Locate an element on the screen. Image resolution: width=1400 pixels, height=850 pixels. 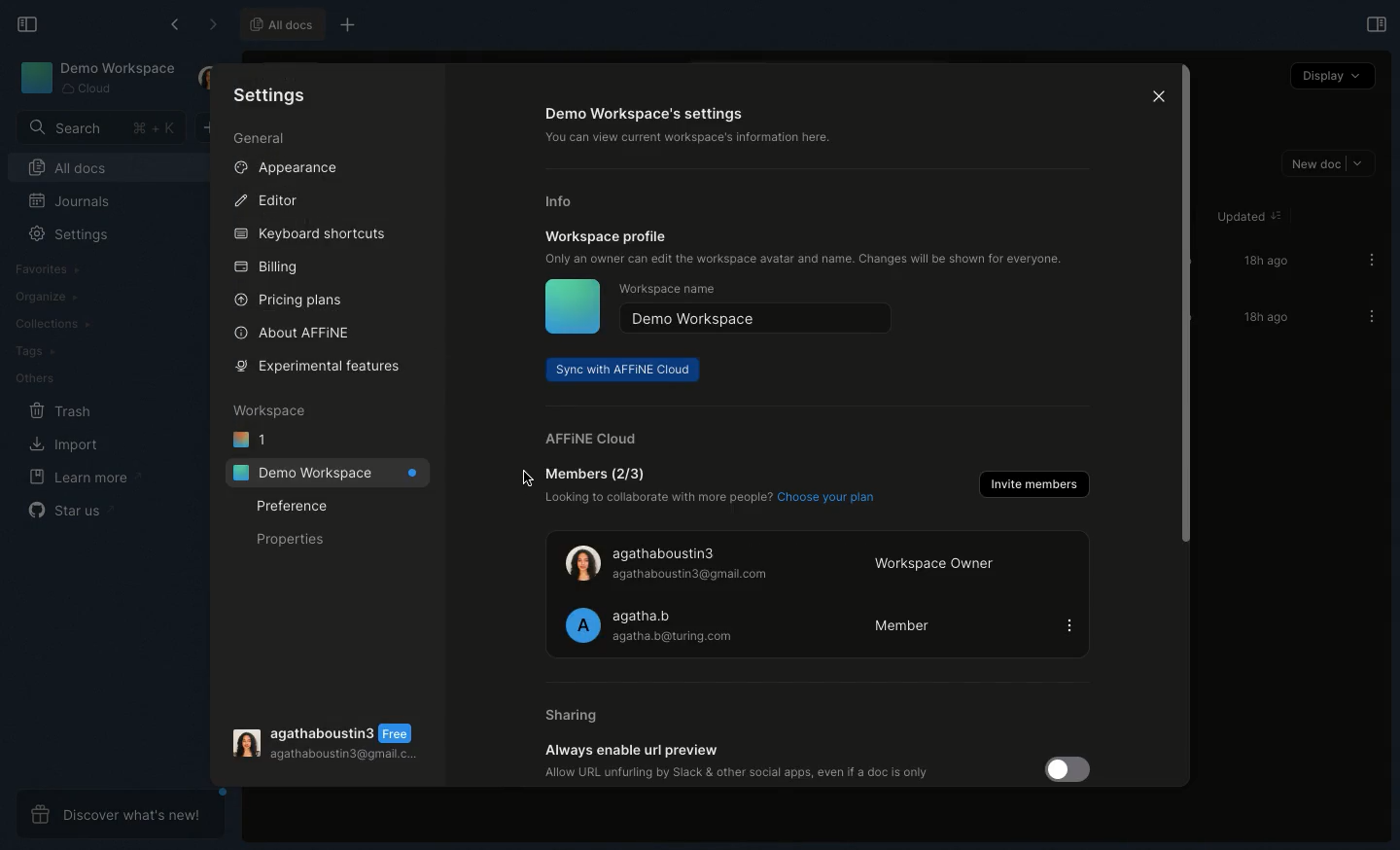
Workspace name is located at coordinates (682, 289).